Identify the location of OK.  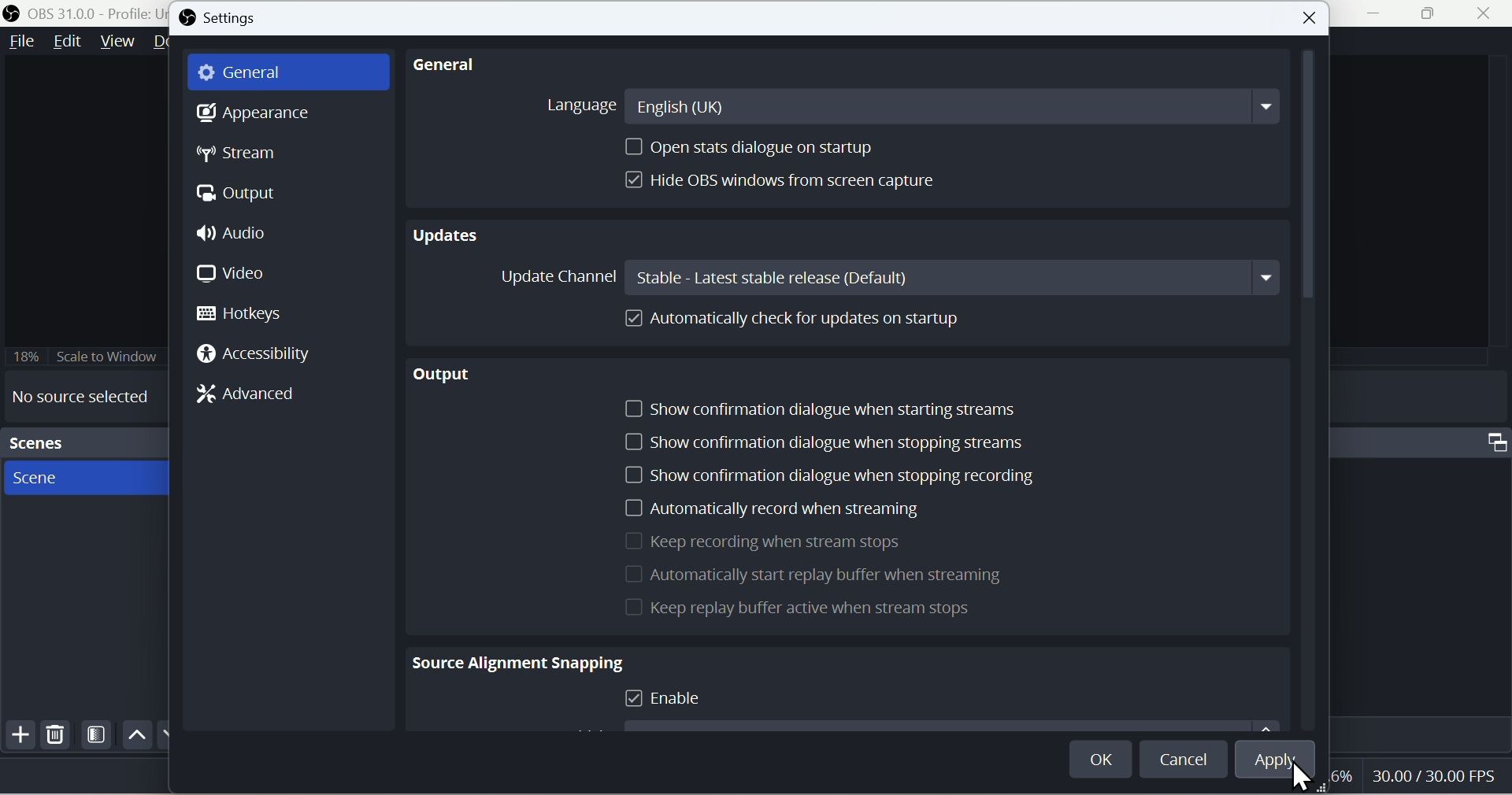
(1102, 759).